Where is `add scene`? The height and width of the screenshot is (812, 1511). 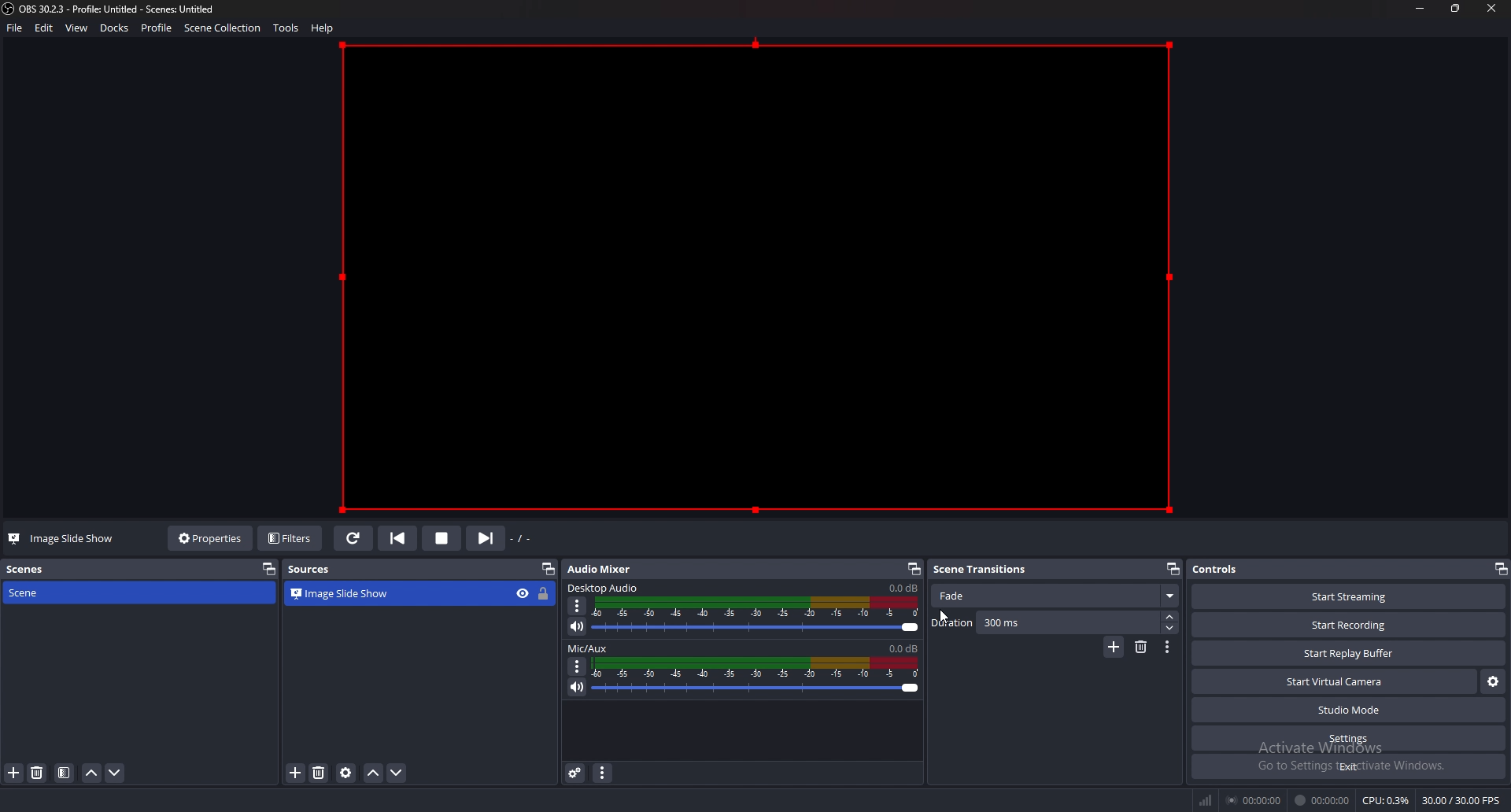 add scene is located at coordinates (15, 773).